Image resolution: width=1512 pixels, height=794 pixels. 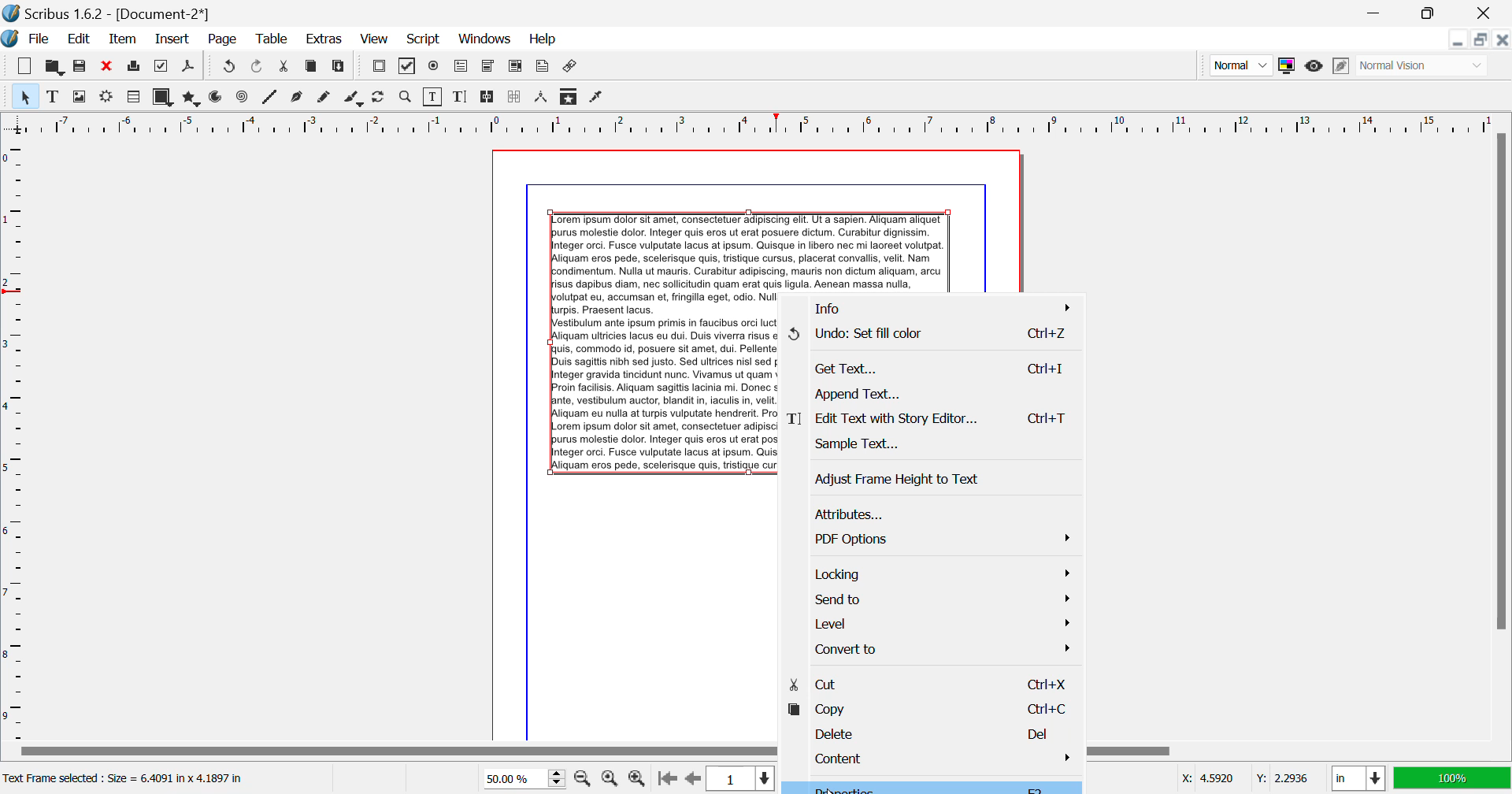 What do you see at coordinates (515, 68) in the screenshot?
I see `Pdf List Box` at bounding box center [515, 68].